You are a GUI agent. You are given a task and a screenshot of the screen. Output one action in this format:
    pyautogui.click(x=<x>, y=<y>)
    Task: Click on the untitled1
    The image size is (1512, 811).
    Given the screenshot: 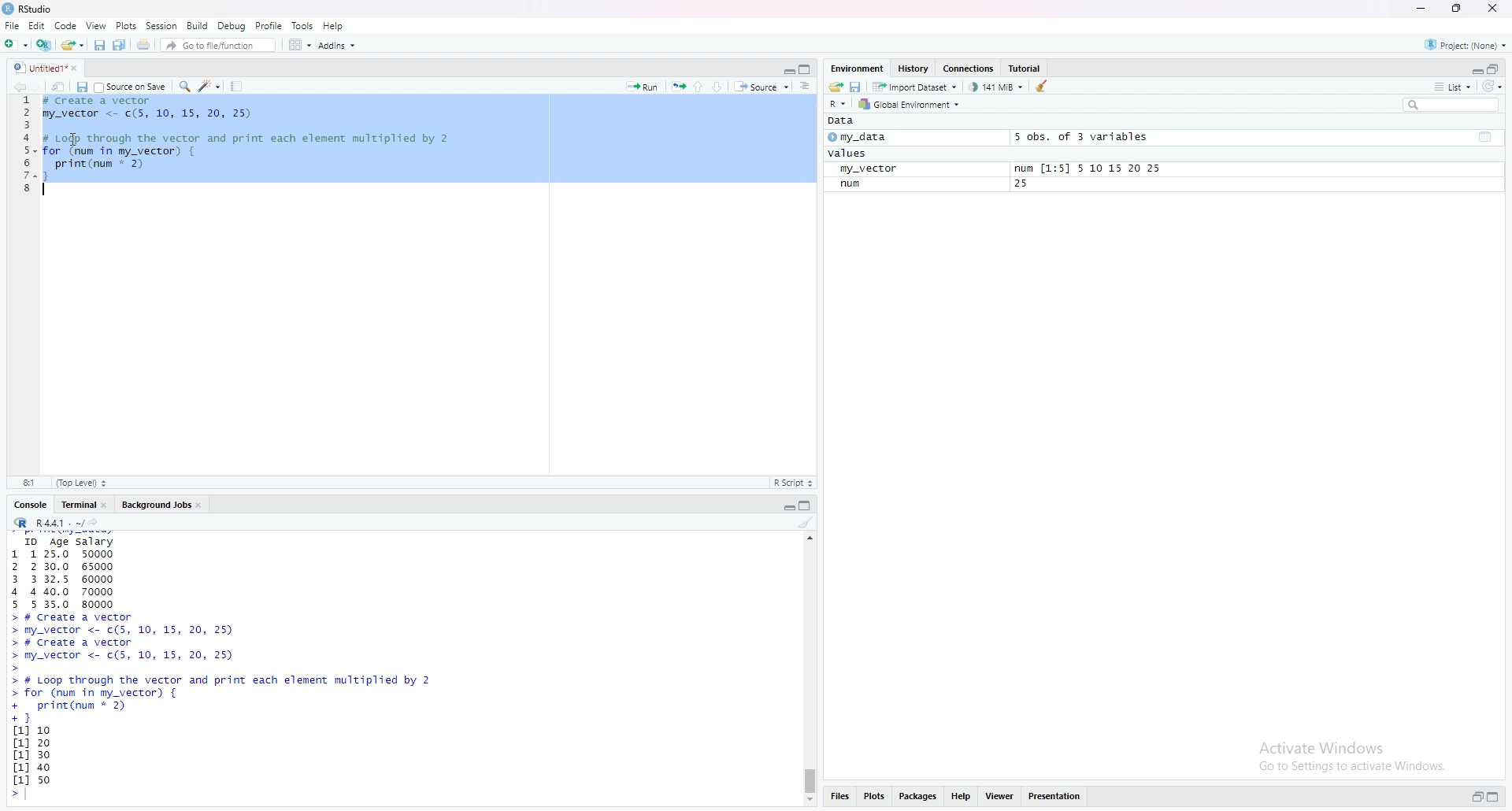 What is the action you would take?
    pyautogui.click(x=48, y=68)
    